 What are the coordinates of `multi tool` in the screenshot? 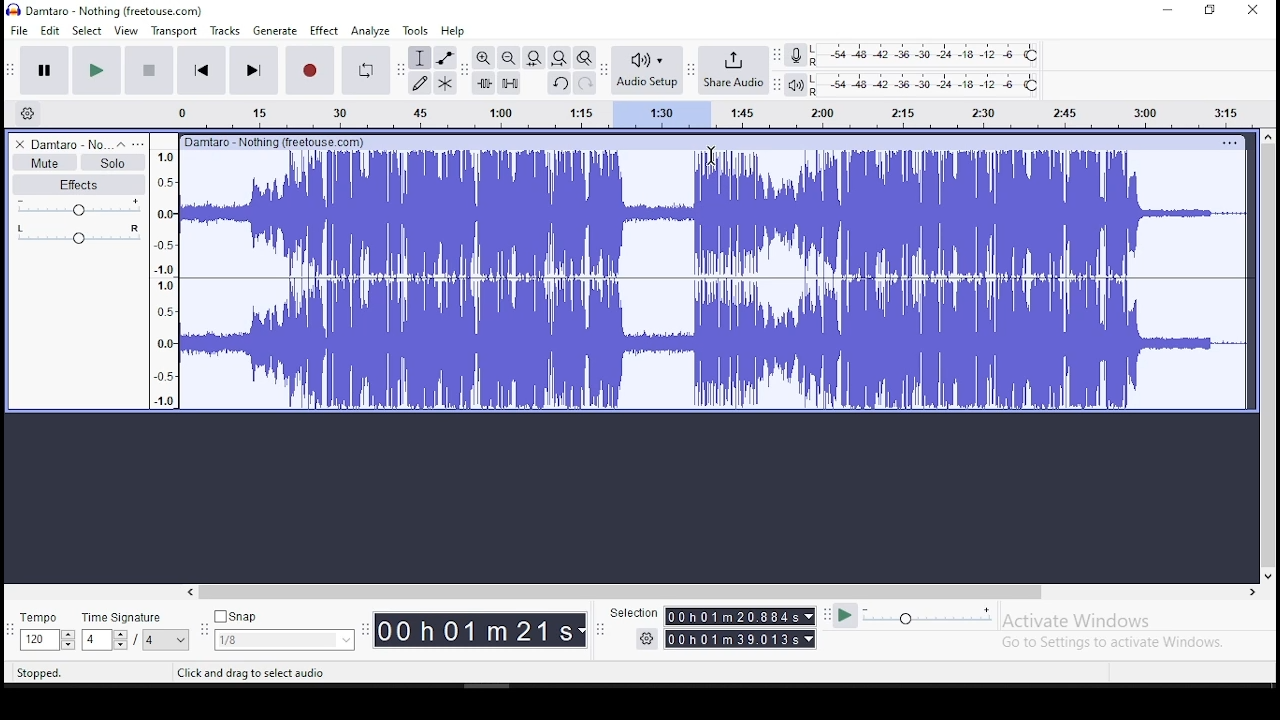 It's located at (445, 82).